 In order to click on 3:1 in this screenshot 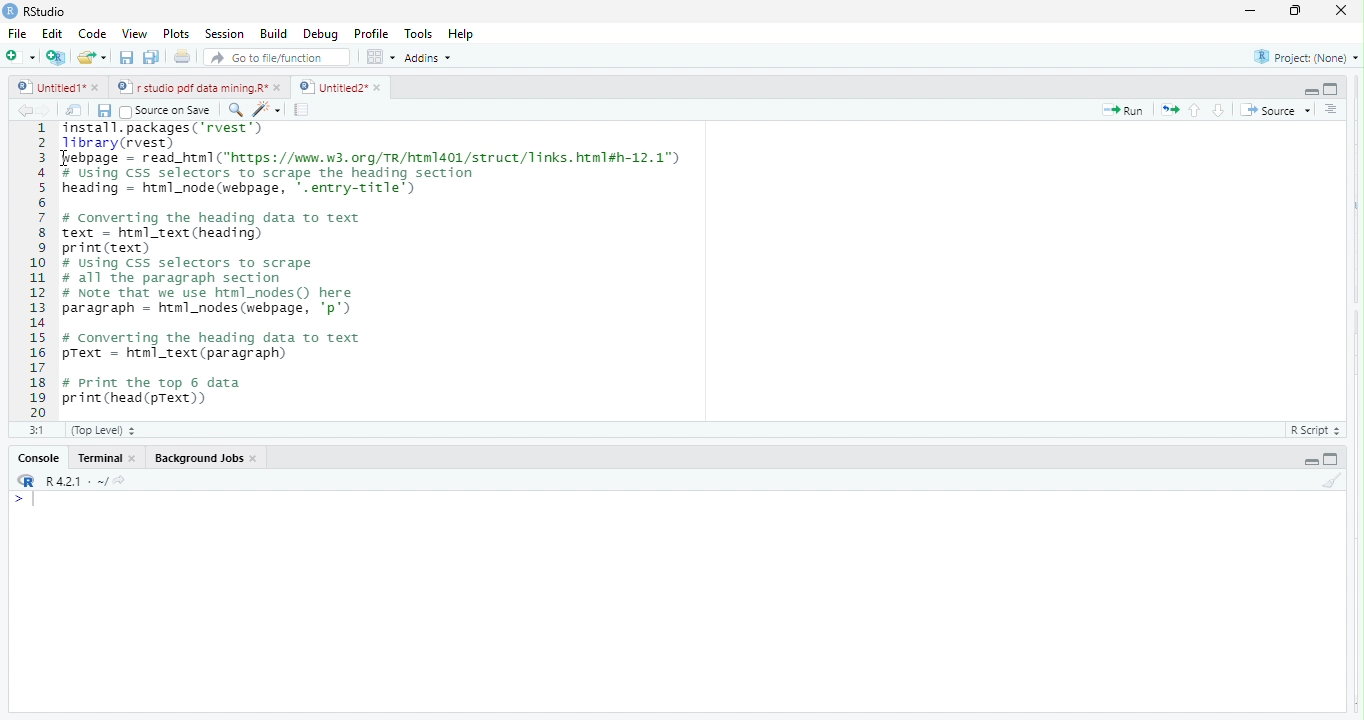, I will do `click(37, 429)`.